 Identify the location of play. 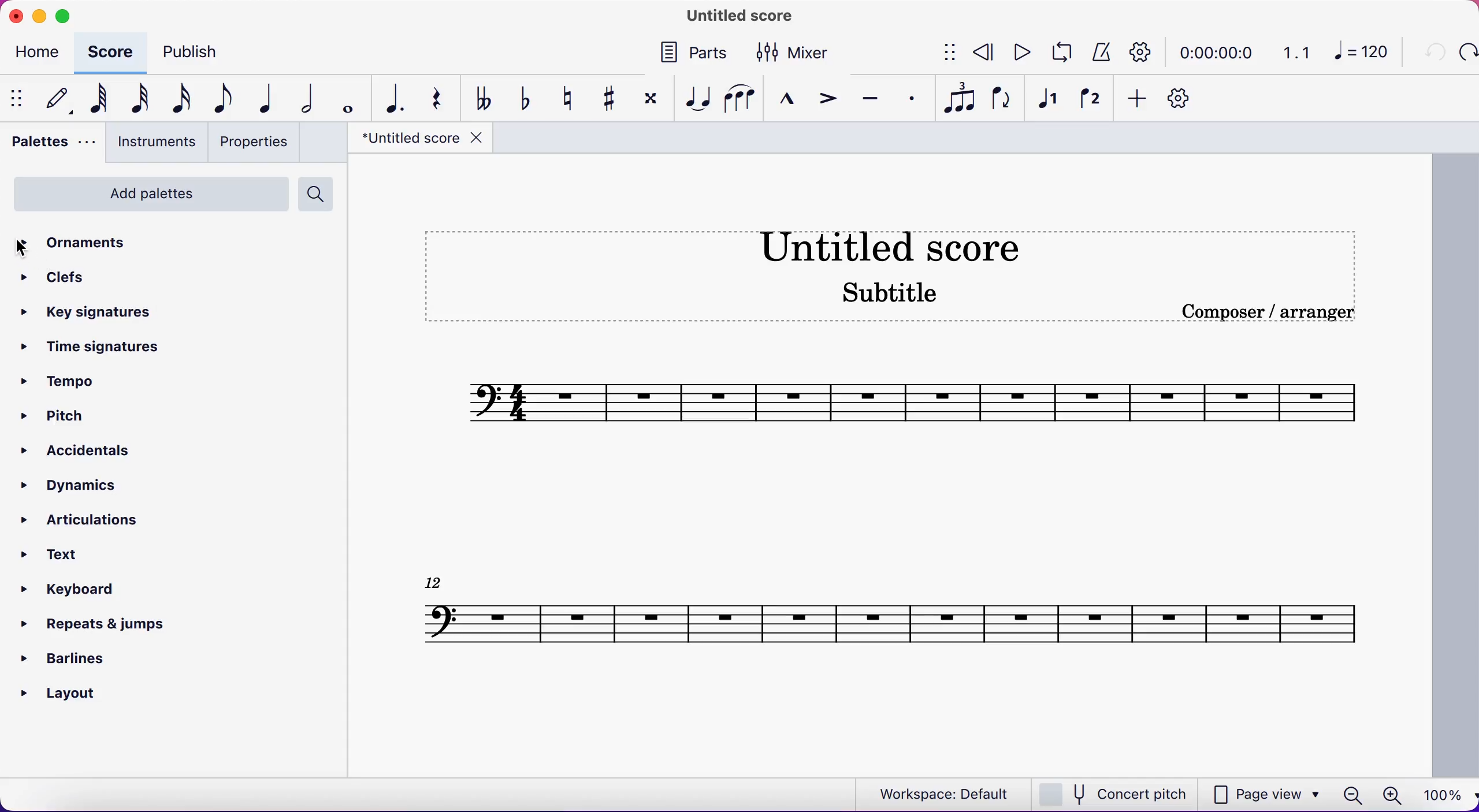
(1021, 54).